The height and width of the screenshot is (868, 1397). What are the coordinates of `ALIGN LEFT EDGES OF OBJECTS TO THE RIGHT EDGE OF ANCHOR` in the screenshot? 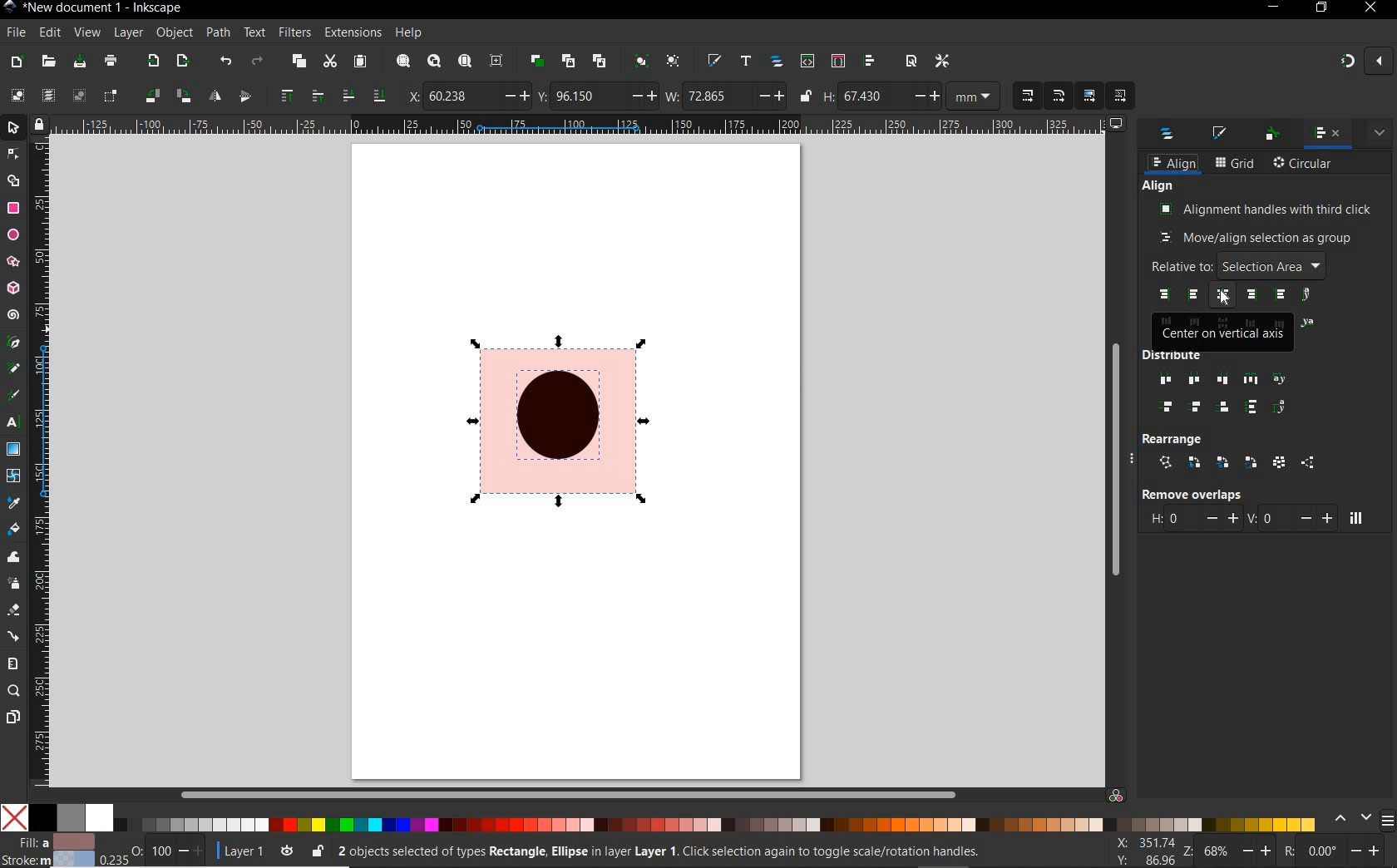 It's located at (1280, 295).